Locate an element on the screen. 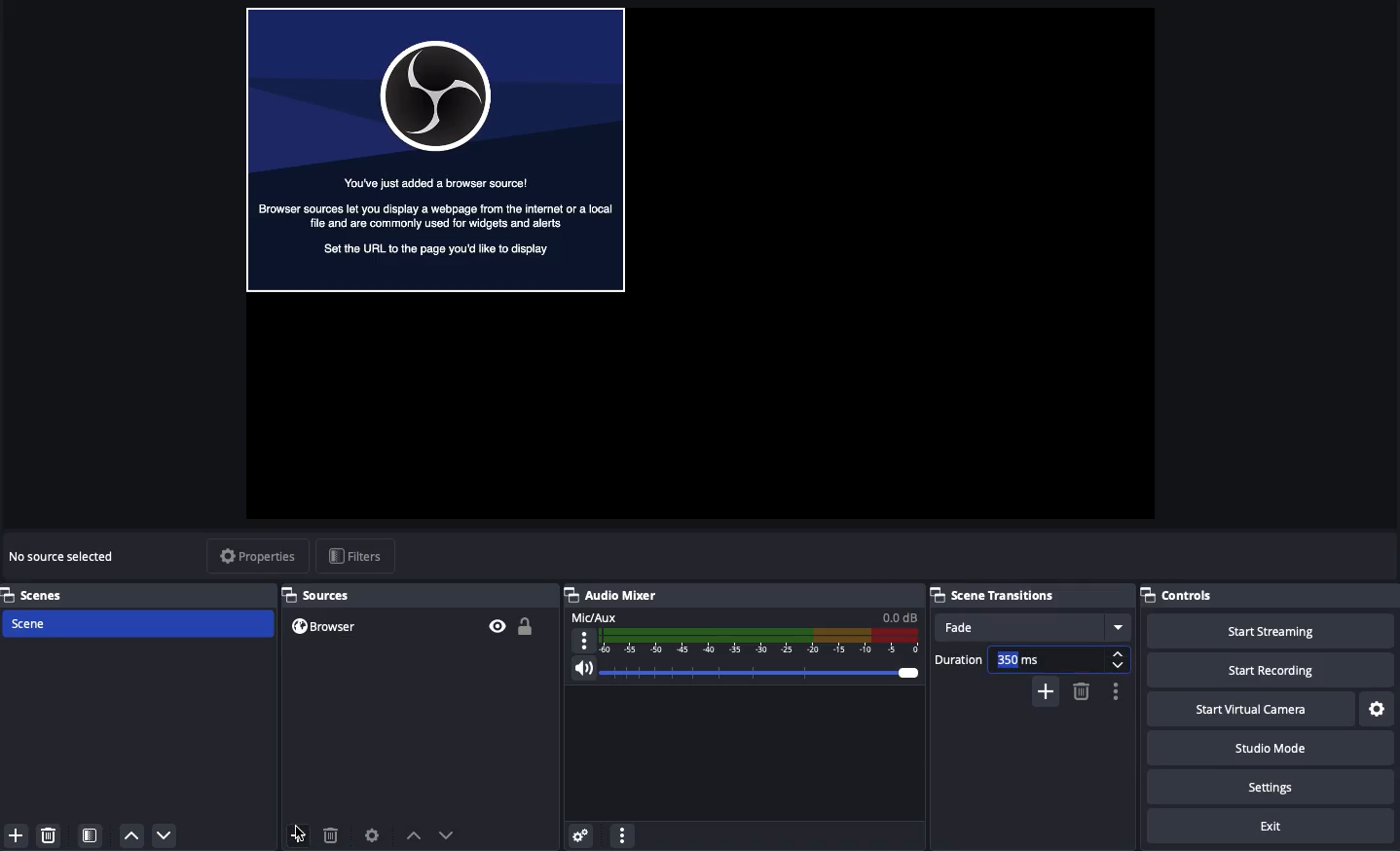 This screenshot has height=851, width=1400. Mic/aux is located at coordinates (743, 634).